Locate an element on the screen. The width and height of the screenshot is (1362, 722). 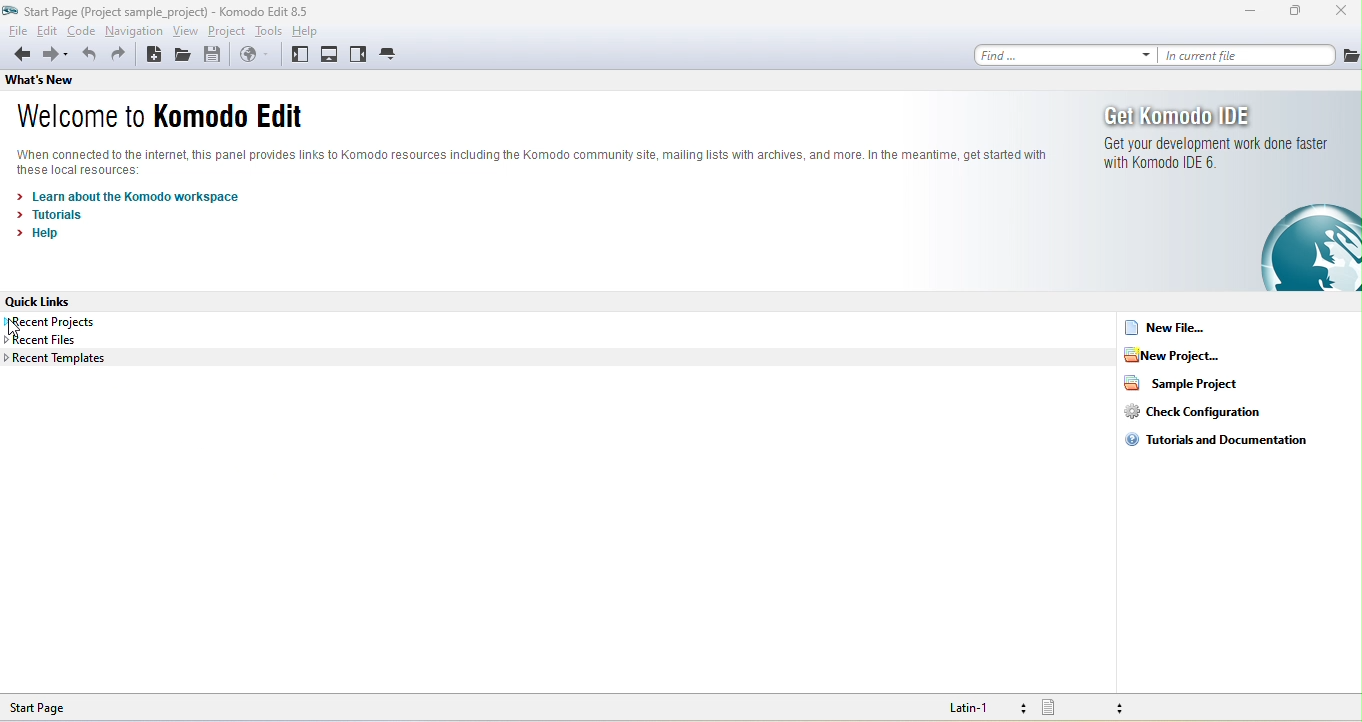
view is located at coordinates (188, 31).